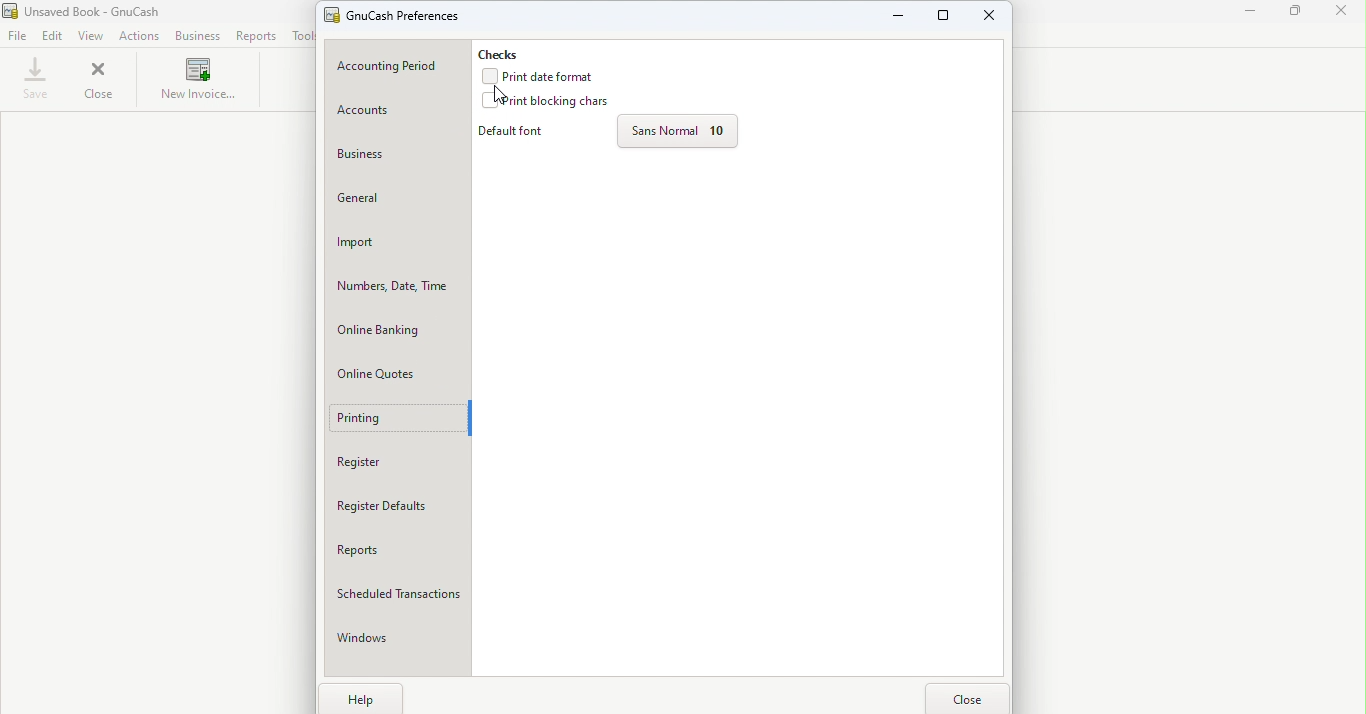  What do you see at coordinates (398, 284) in the screenshot?
I see `Numbers, Date, Time` at bounding box center [398, 284].